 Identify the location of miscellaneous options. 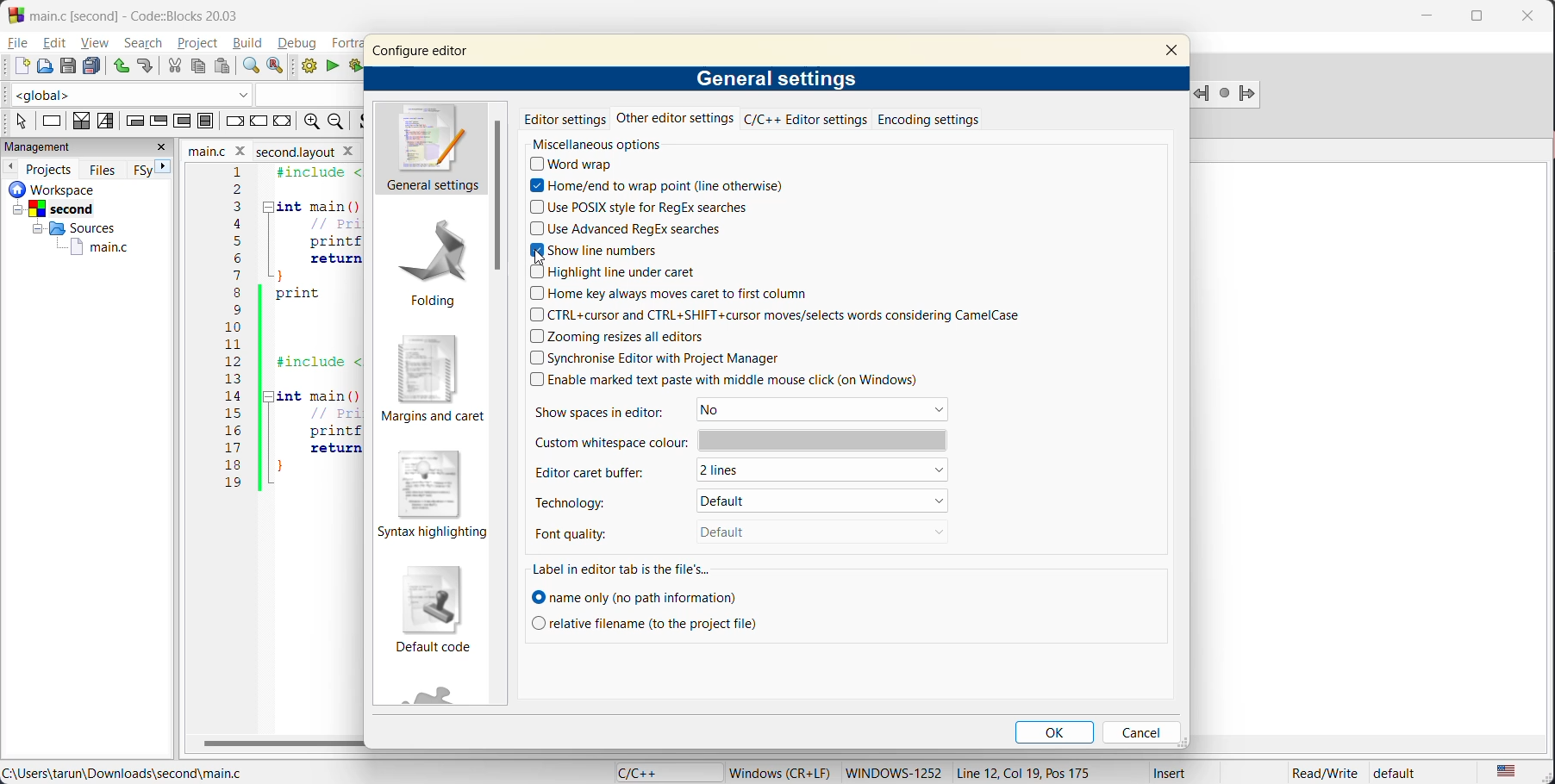
(609, 146).